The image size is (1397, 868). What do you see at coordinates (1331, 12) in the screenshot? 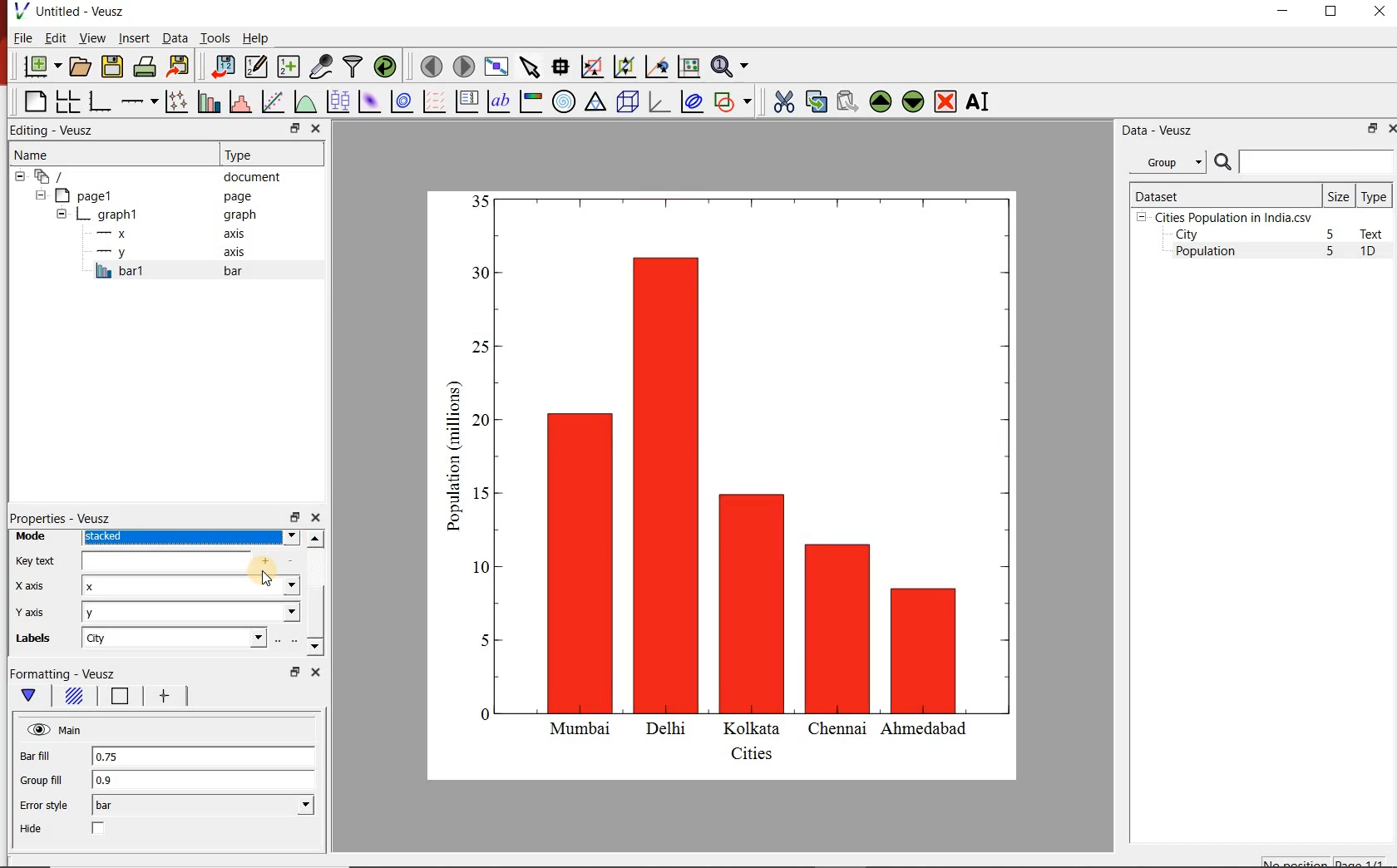
I see `RESTORE` at bounding box center [1331, 12].